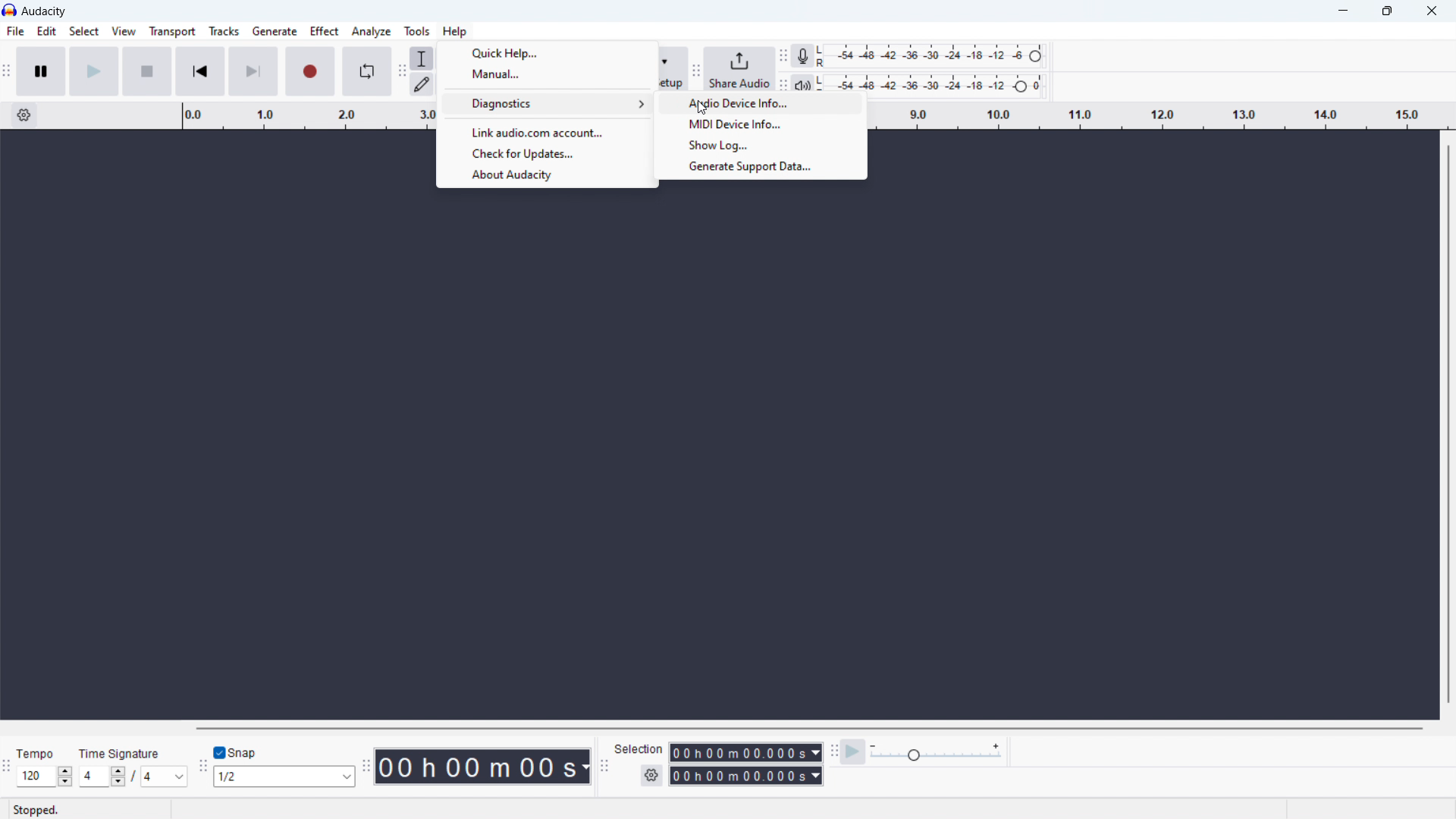 Image resolution: width=1456 pixels, height=819 pixels. What do you see at coordinates (284, 777) in the screenshot?
I see `select snapping` at bounding box center [284, 777].